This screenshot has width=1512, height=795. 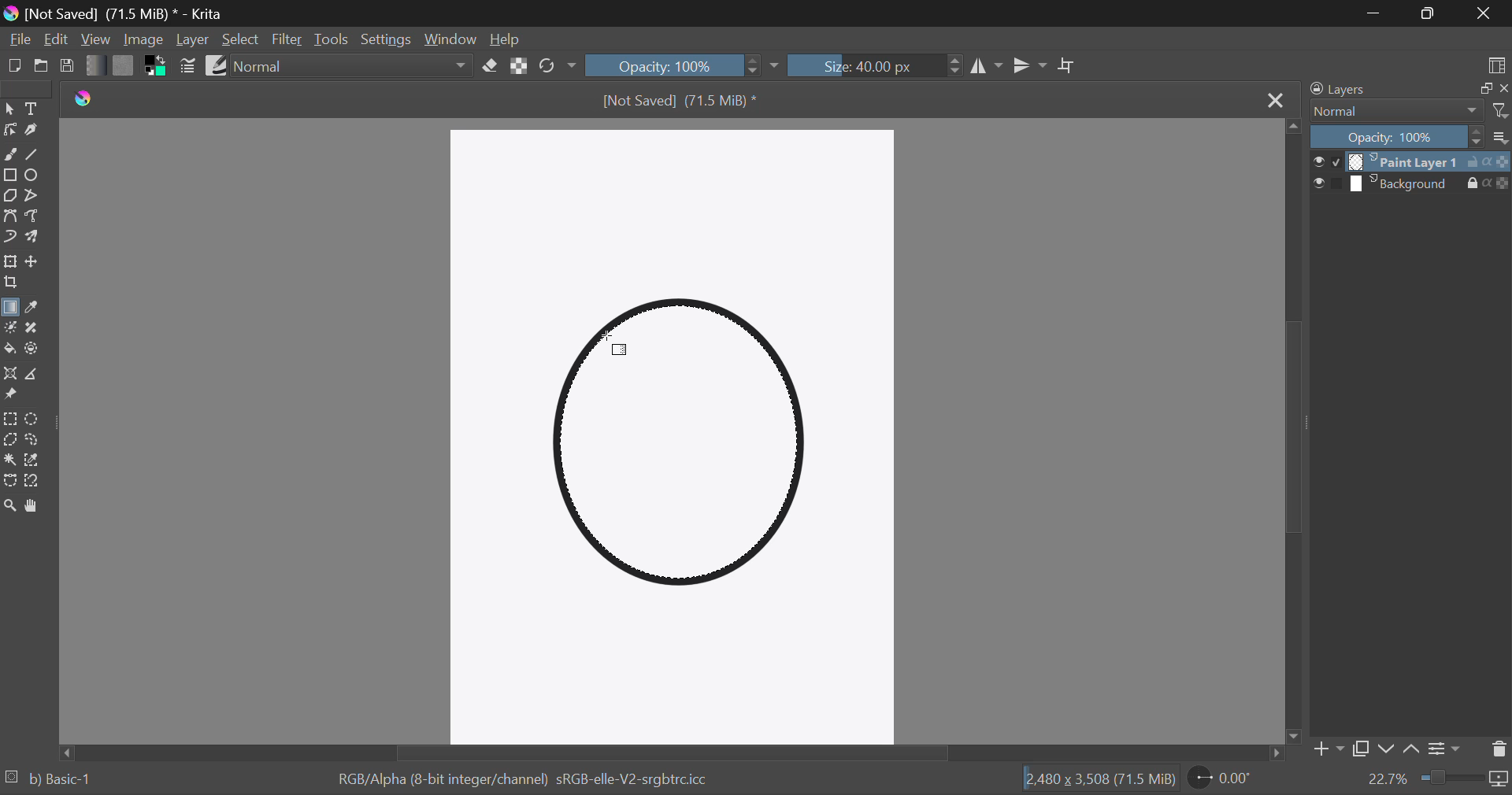 I want to click on copy, so click(x=1485, y=87).